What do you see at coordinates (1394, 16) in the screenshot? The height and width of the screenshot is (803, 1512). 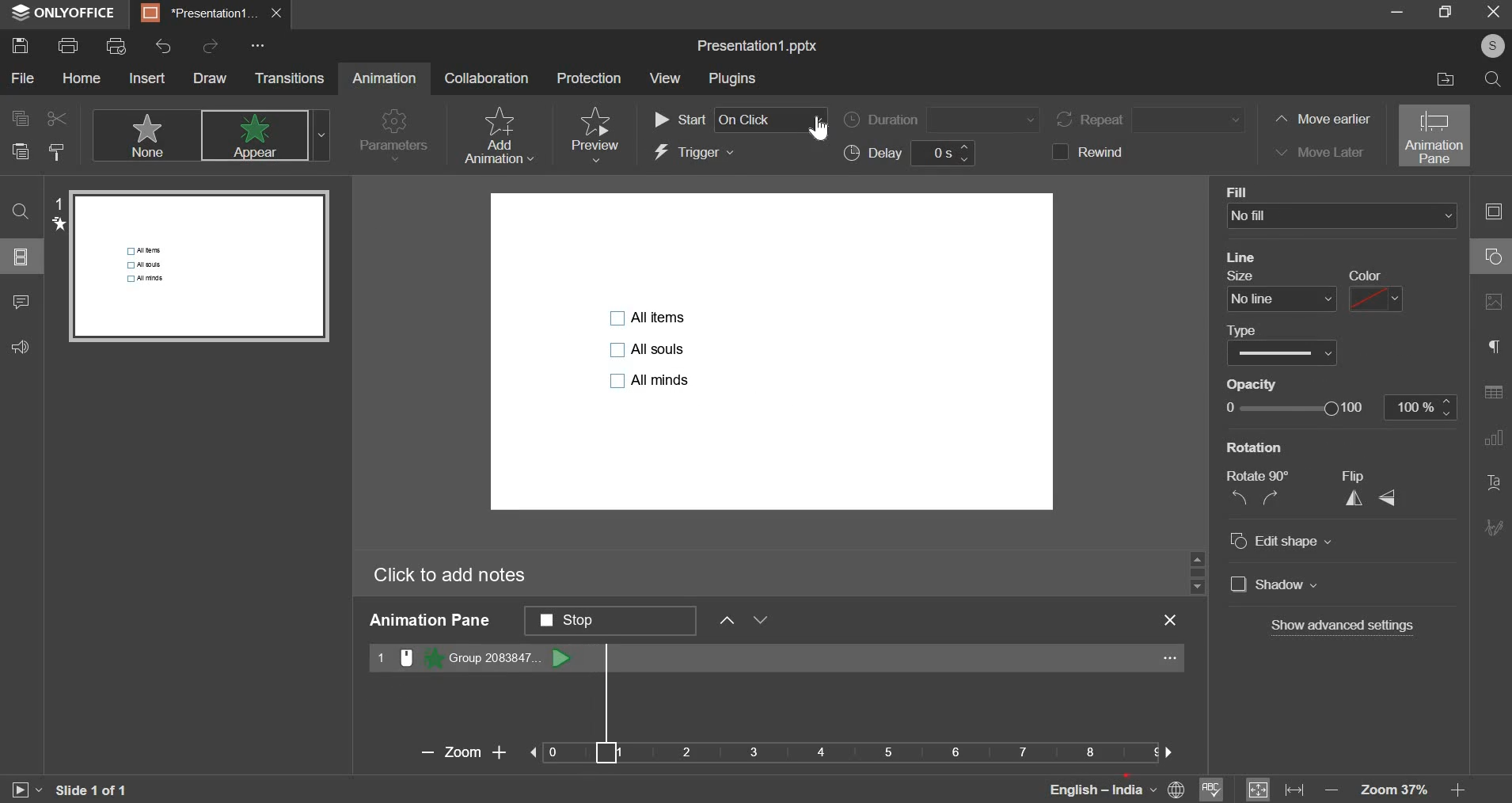 I see `minimize` at bounding box center [1394, 16].